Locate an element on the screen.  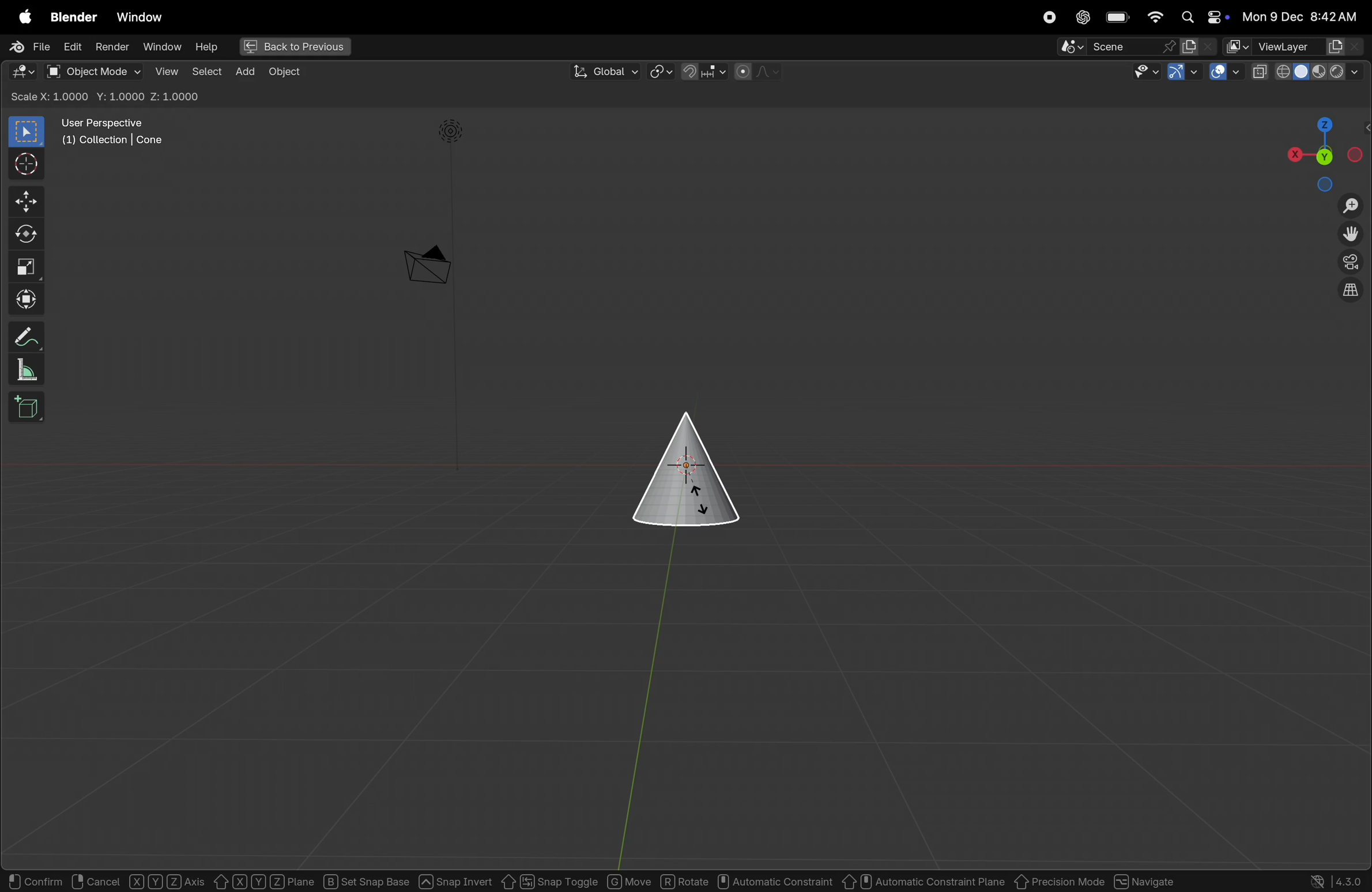
view layer is located at coordinates (1296, 44).